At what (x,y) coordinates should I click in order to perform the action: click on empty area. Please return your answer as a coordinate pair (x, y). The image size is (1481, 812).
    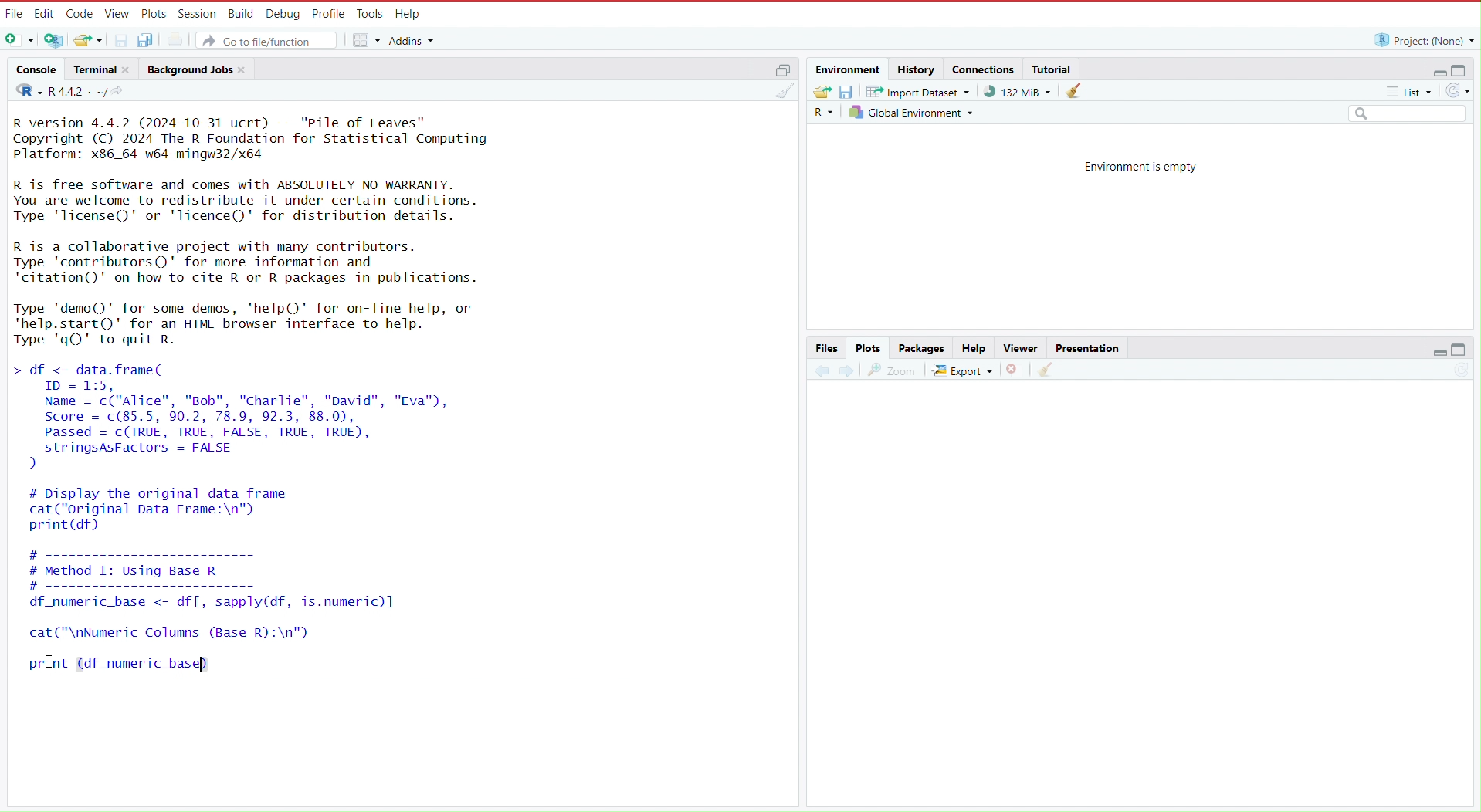
    Looking at the image, I should click on (1125, 604).